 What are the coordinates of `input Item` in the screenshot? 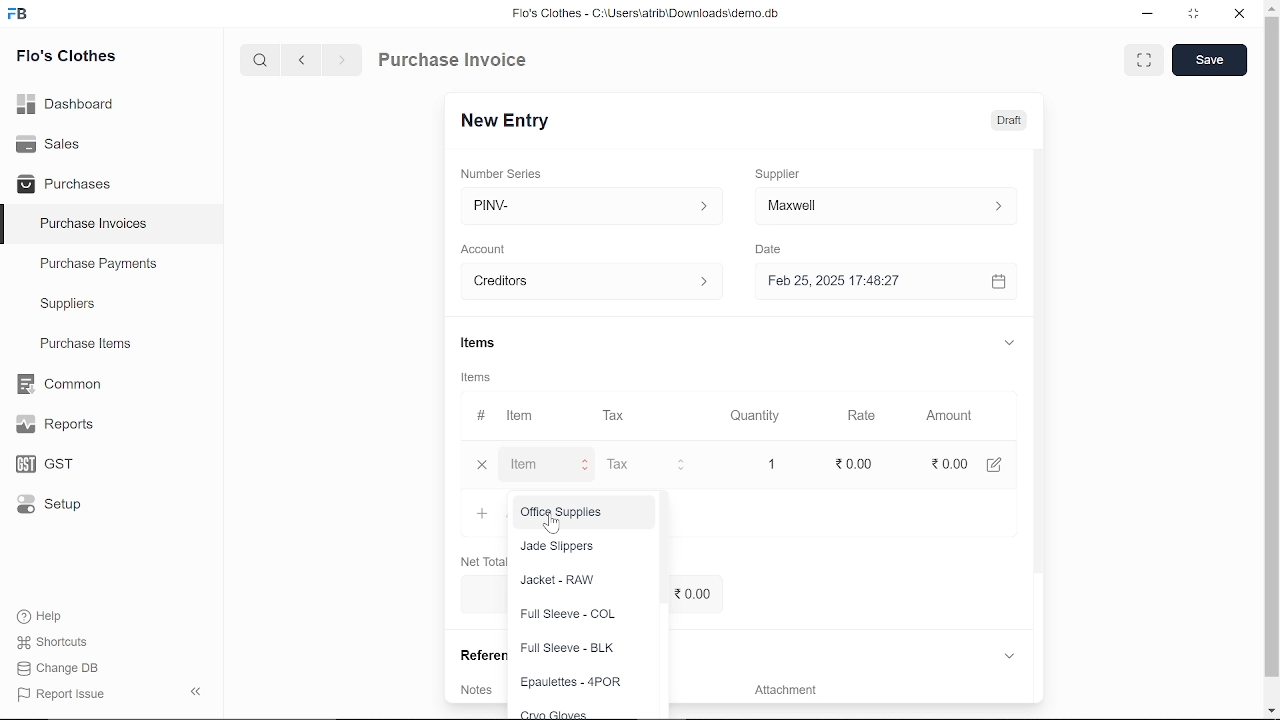 It's located at (550, 464).